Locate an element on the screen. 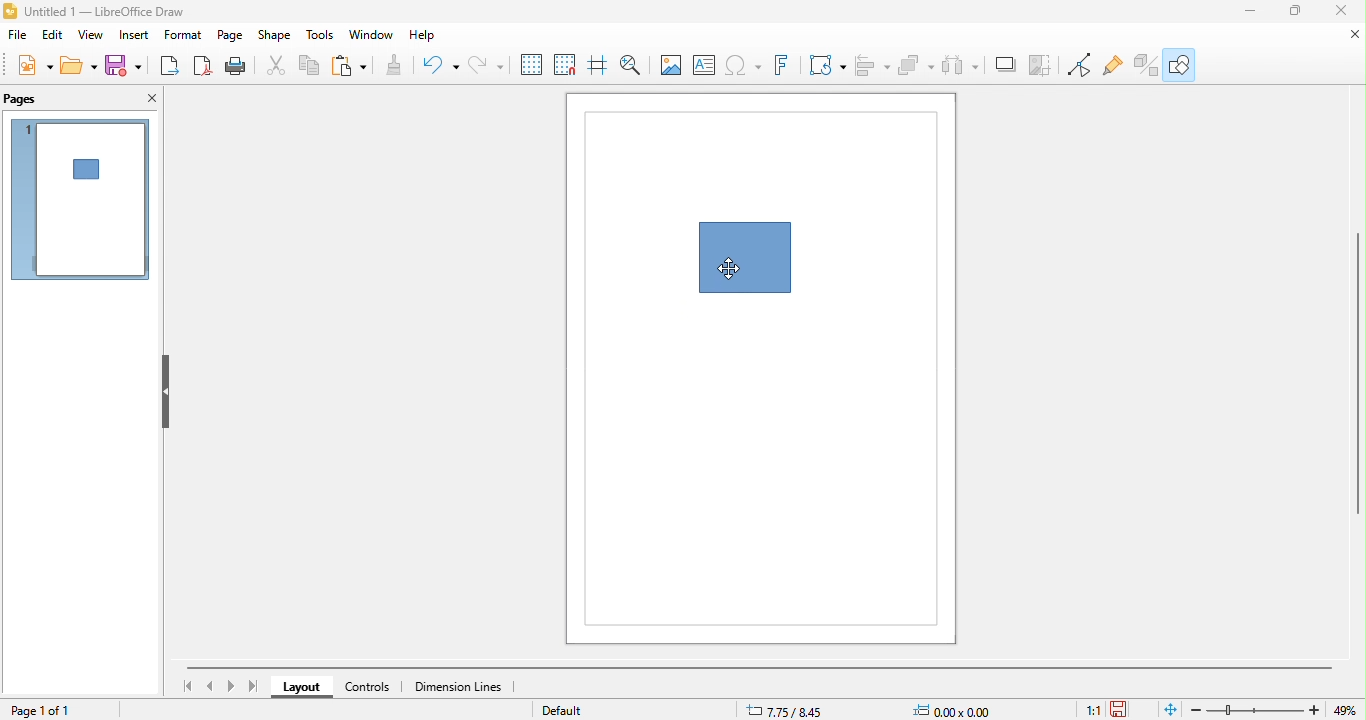 The image size is (1366, 720). zoom and pan is located at coordinates (636, 67).